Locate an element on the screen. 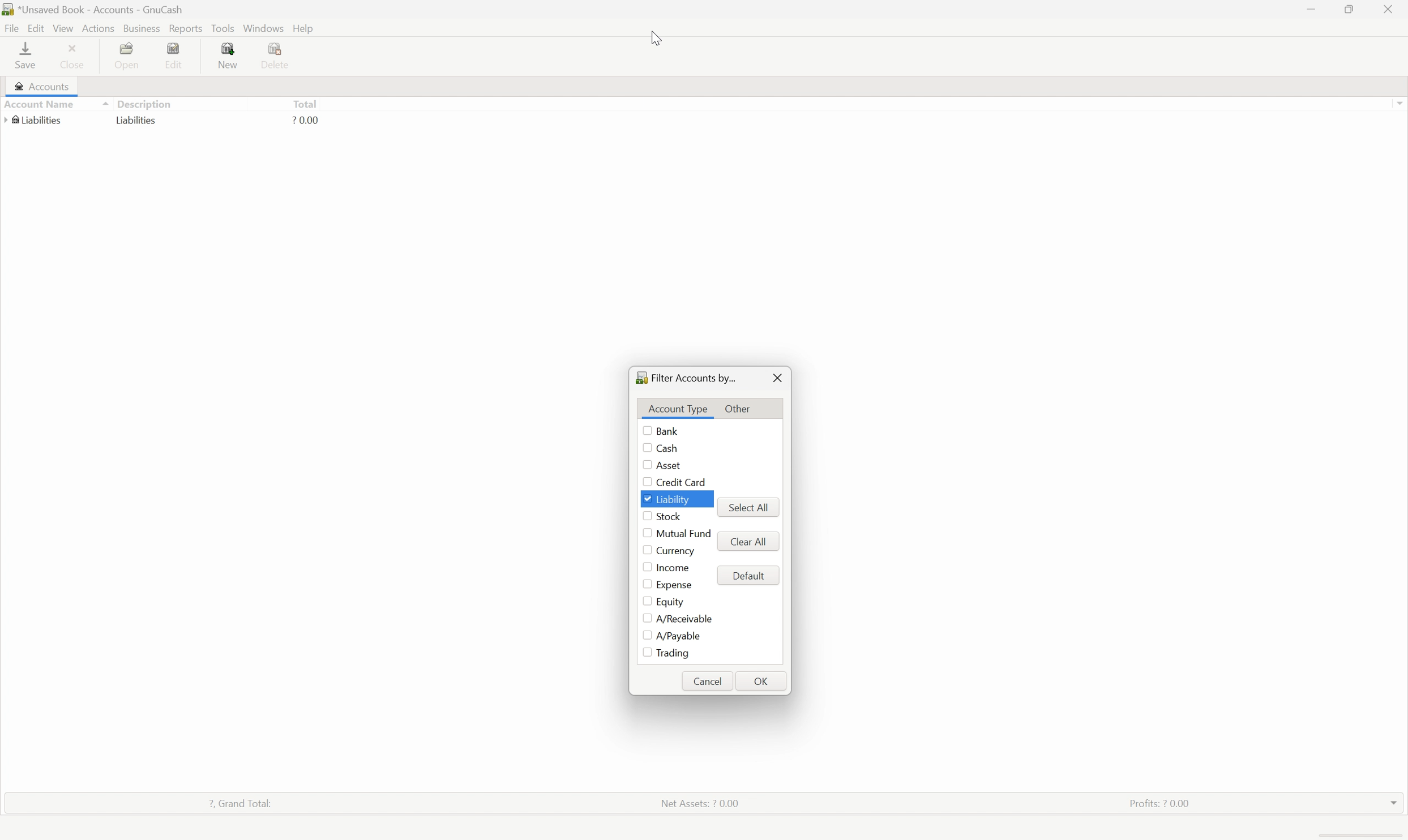  Restore down is located at coordinates (1353, 8).